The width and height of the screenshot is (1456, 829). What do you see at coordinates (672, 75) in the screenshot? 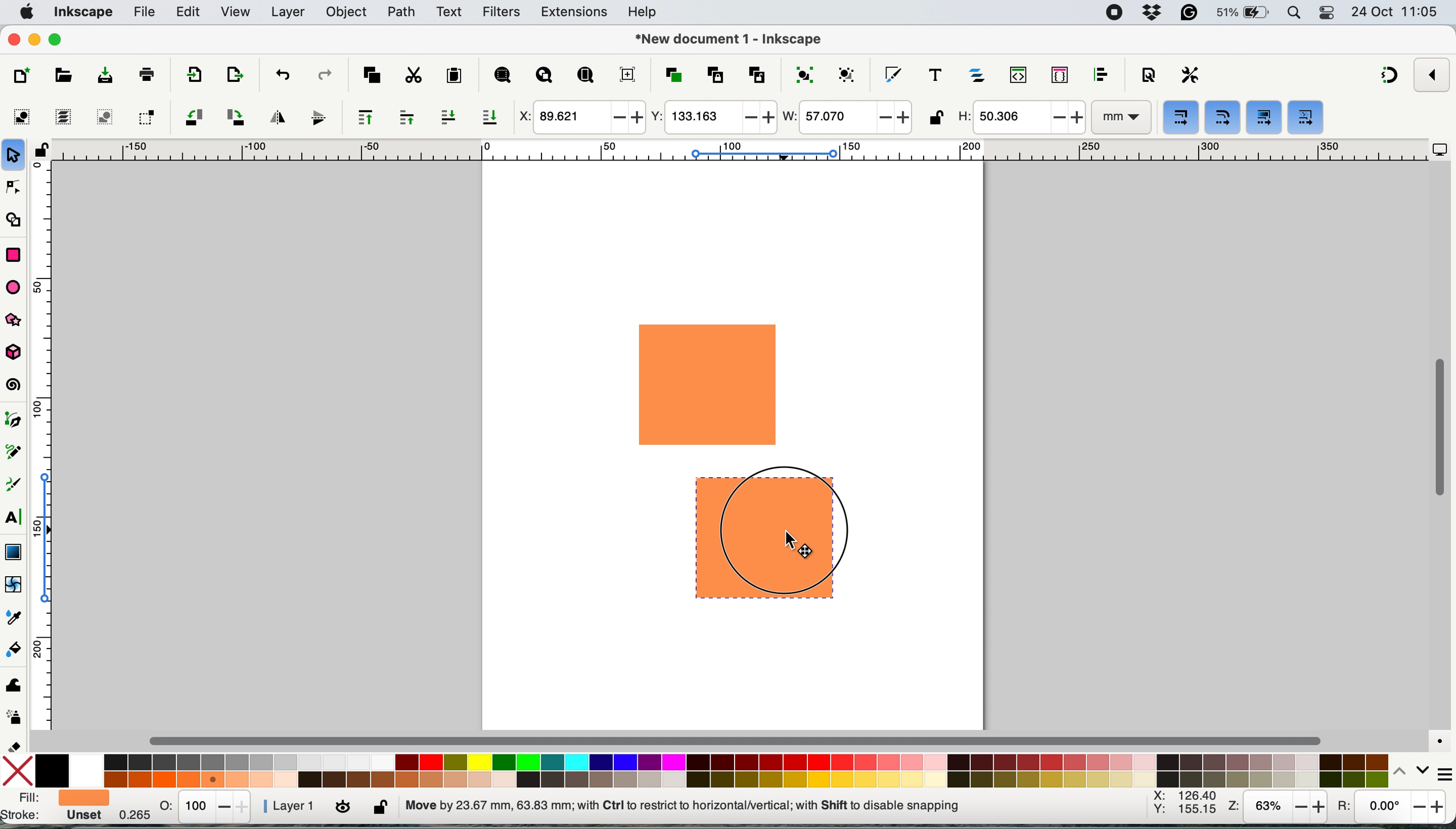
I see `duplicate` at bounding box center [672, 75].